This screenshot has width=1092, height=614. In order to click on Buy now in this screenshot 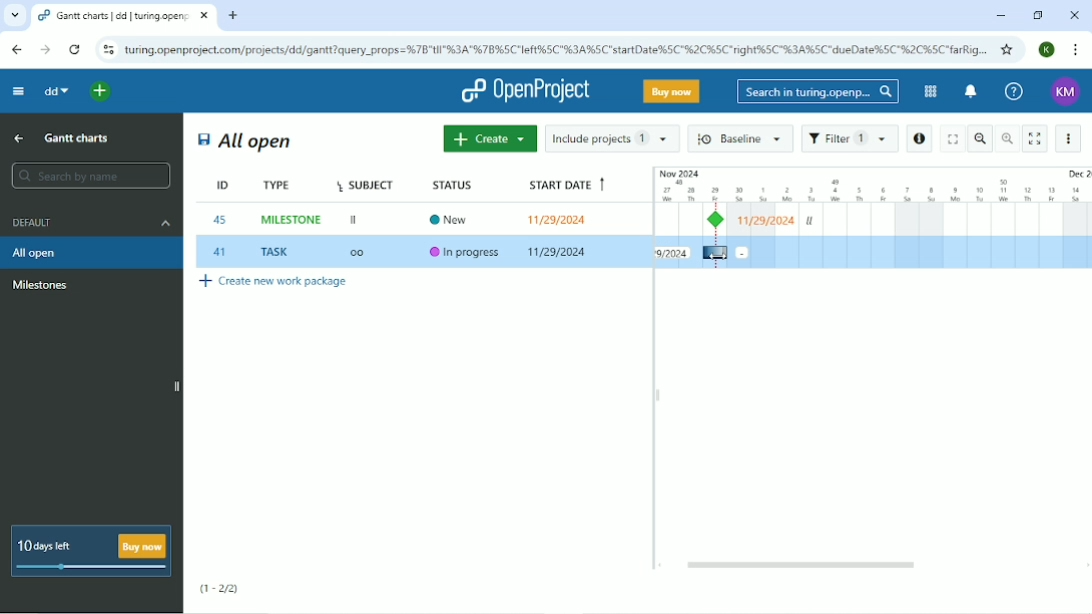, I will do `click(672, 91)`.